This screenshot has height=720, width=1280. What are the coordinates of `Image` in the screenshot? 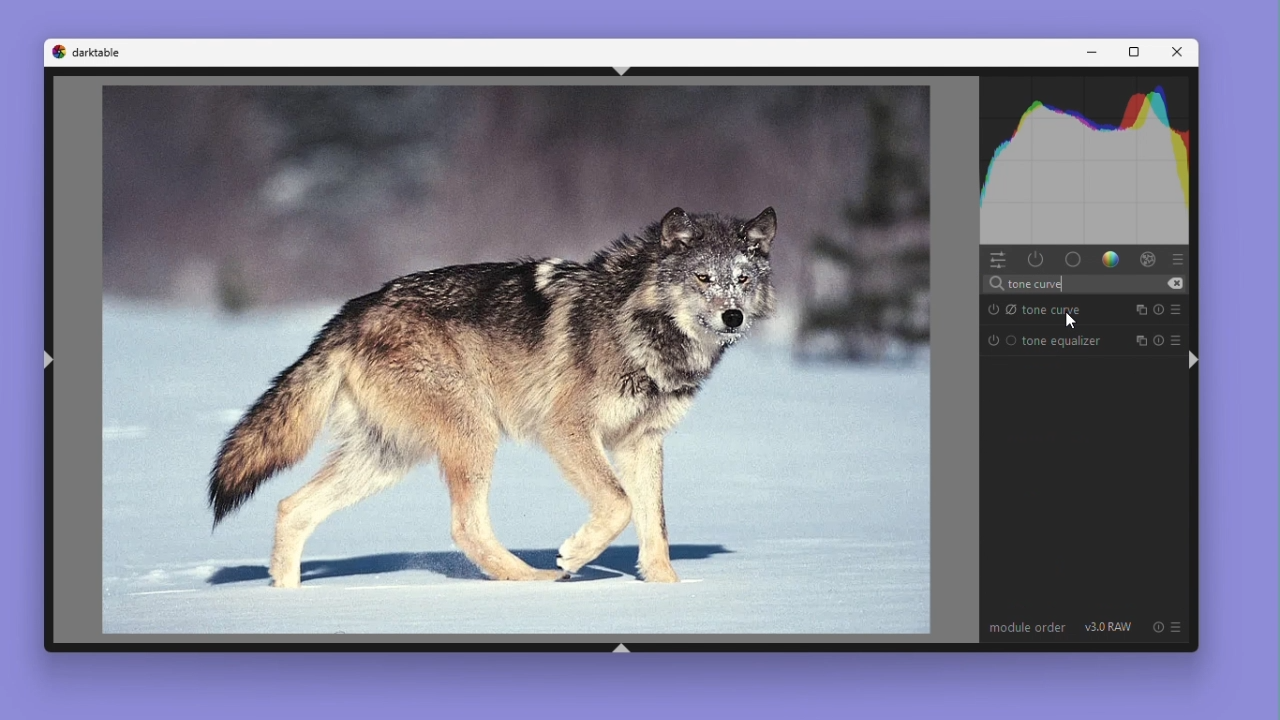 It's located at (498, 361).